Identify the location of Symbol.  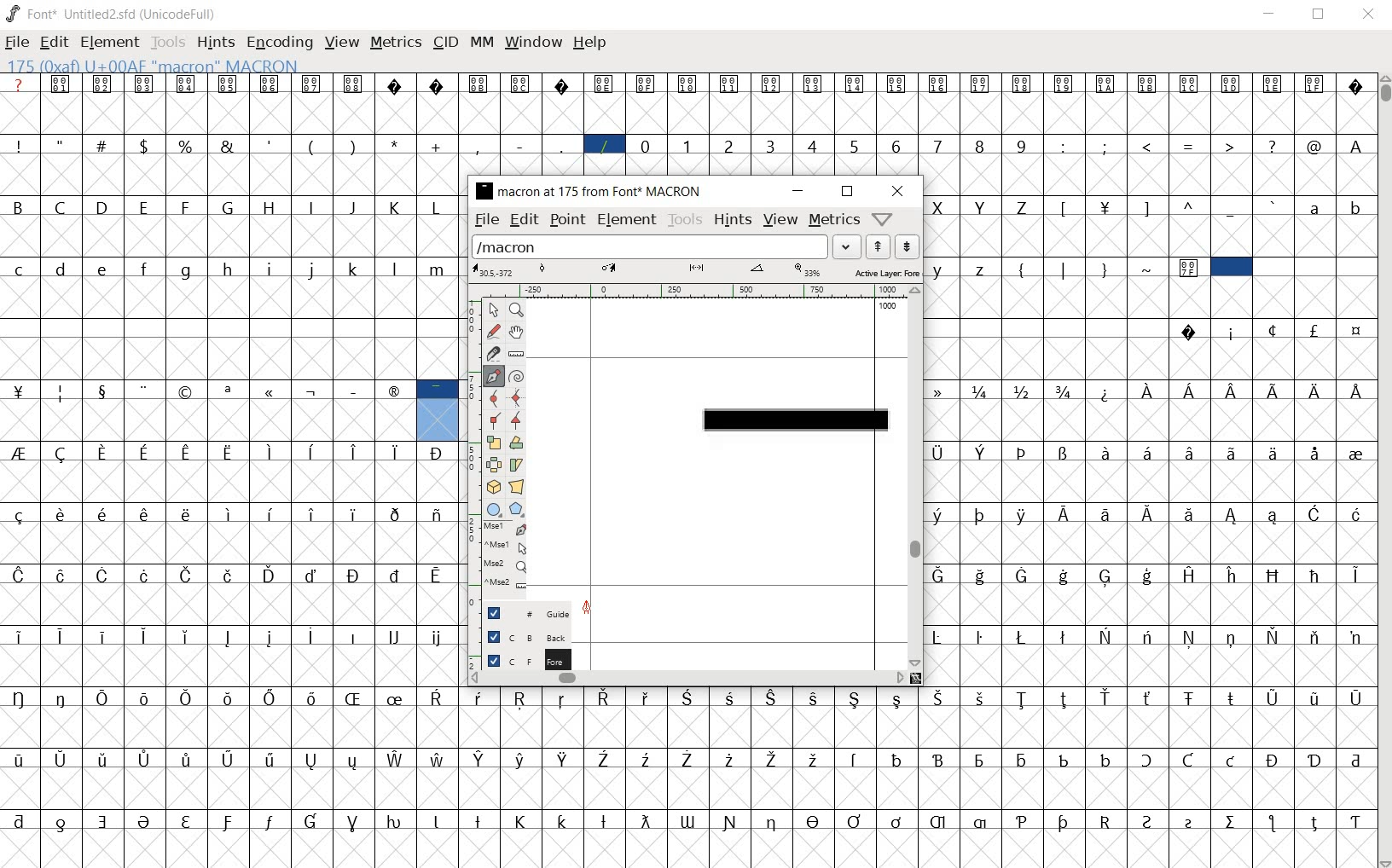
(1314, 822).